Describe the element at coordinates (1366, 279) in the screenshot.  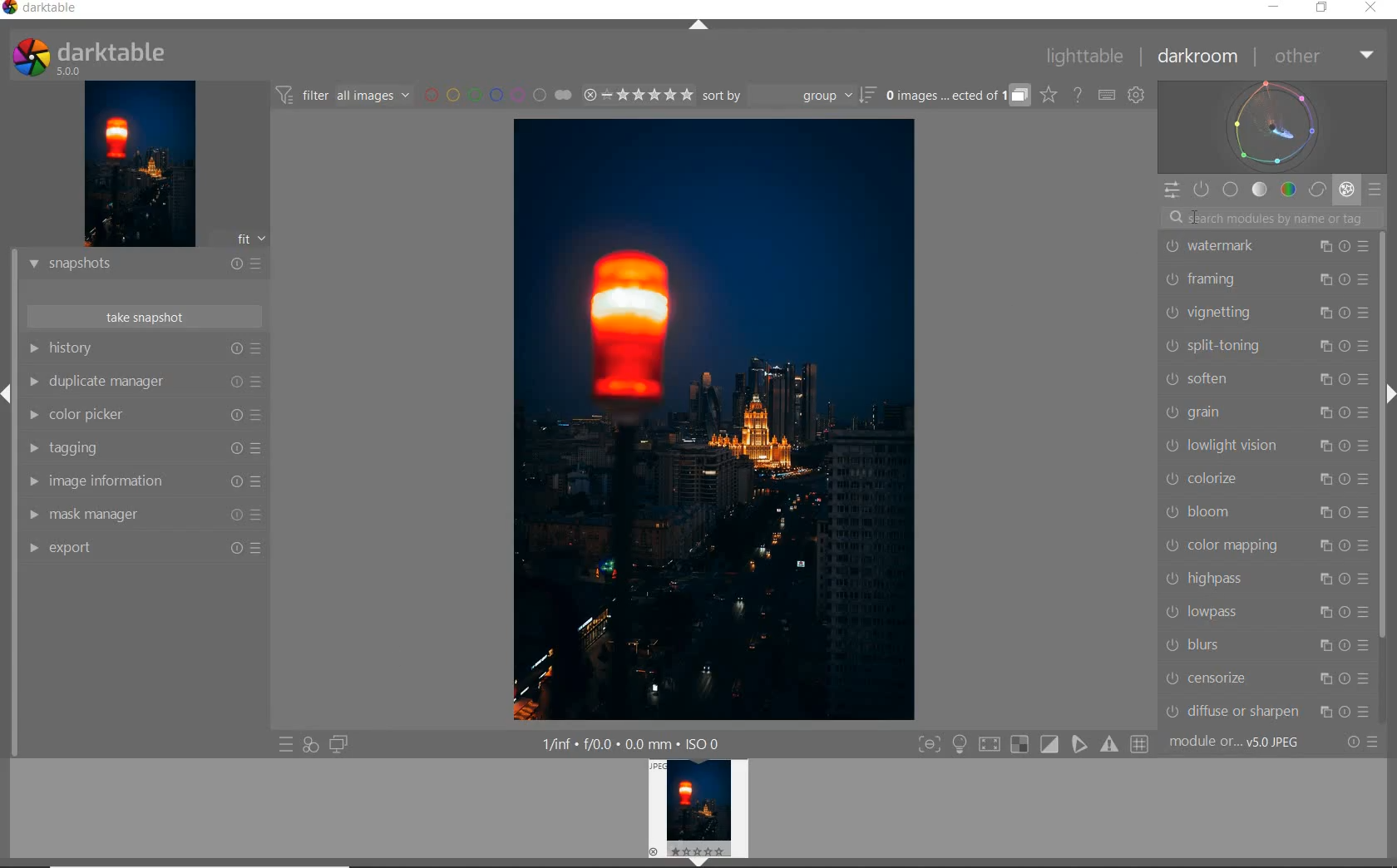
I see `Preset and reset` at that location.